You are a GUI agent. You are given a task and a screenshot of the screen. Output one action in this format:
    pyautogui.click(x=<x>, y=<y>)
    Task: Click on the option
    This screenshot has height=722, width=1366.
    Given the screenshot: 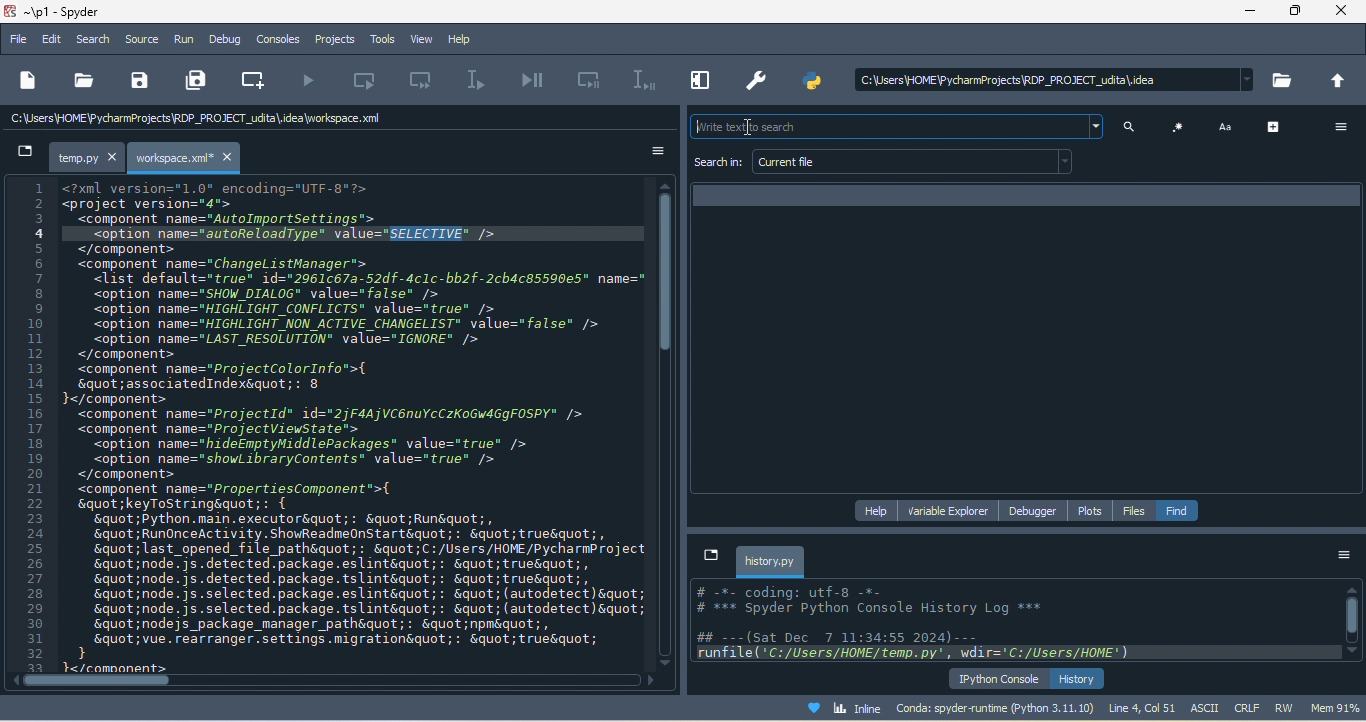 What is the action you would take?
    pyautogui.click(x=1343, y=557)
    